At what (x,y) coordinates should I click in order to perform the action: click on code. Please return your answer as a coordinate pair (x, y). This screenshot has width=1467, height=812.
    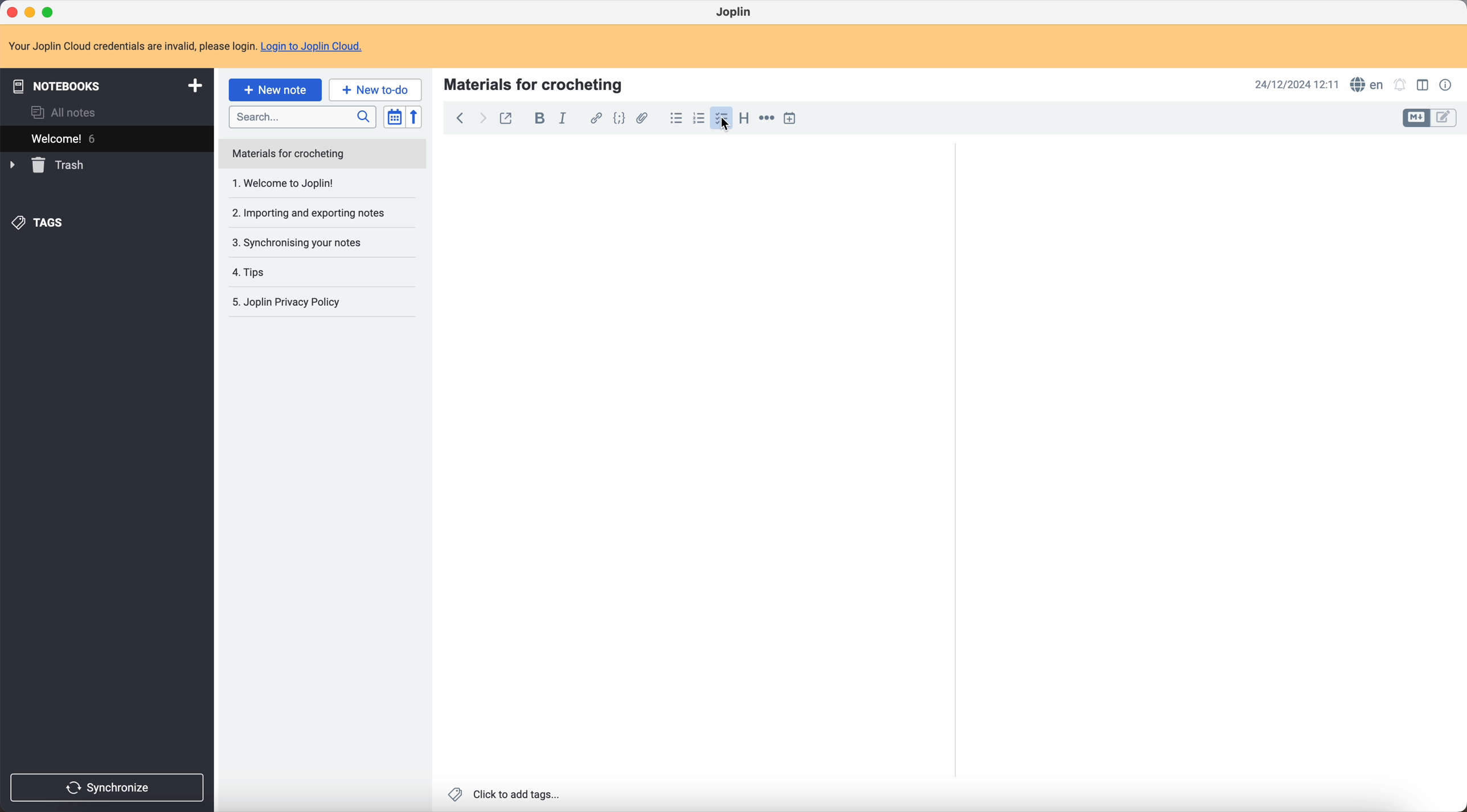
    Looking at the image, I should click on (621, 119).